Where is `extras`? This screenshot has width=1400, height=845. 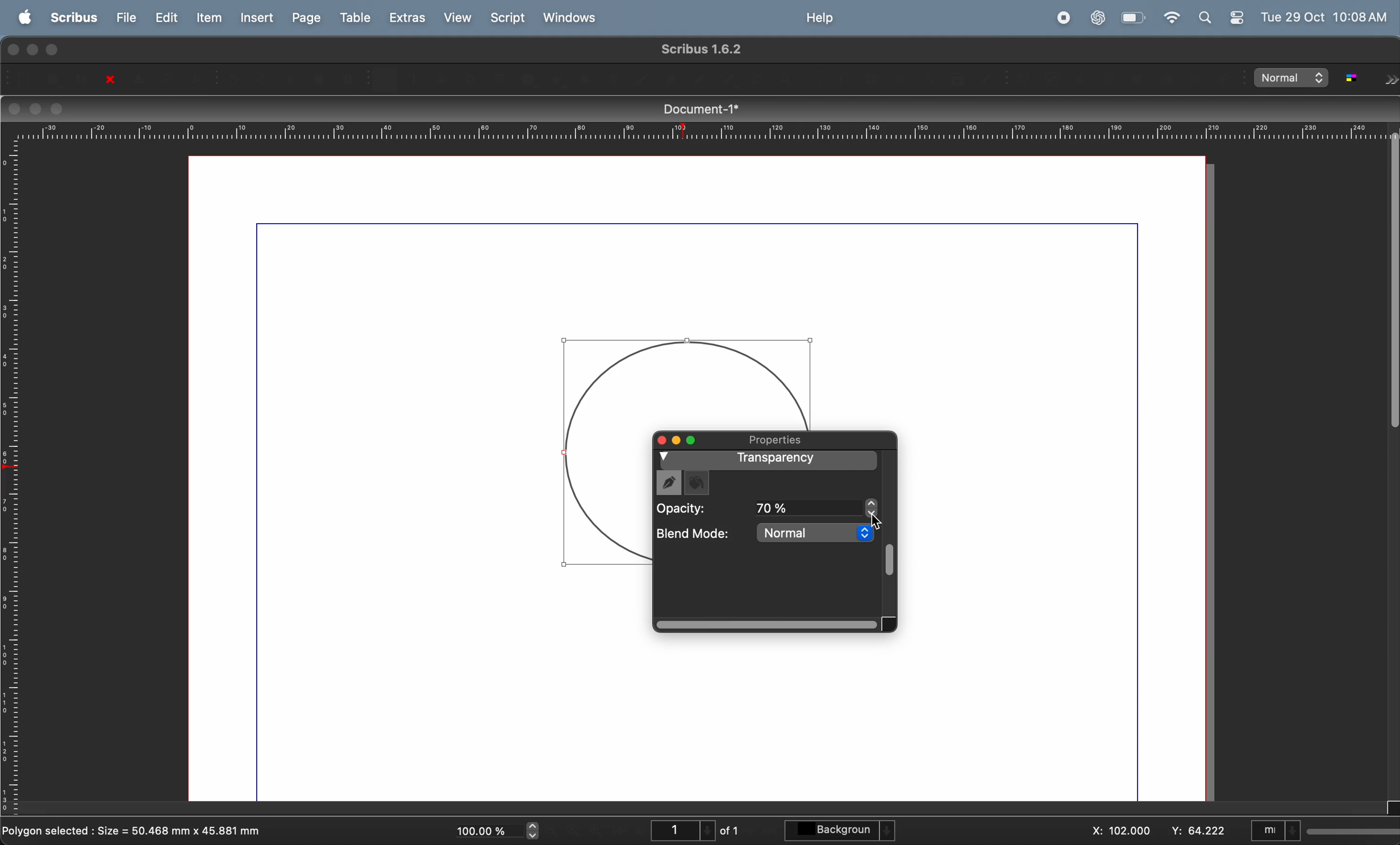
extras is located at coordinates (408, 16).